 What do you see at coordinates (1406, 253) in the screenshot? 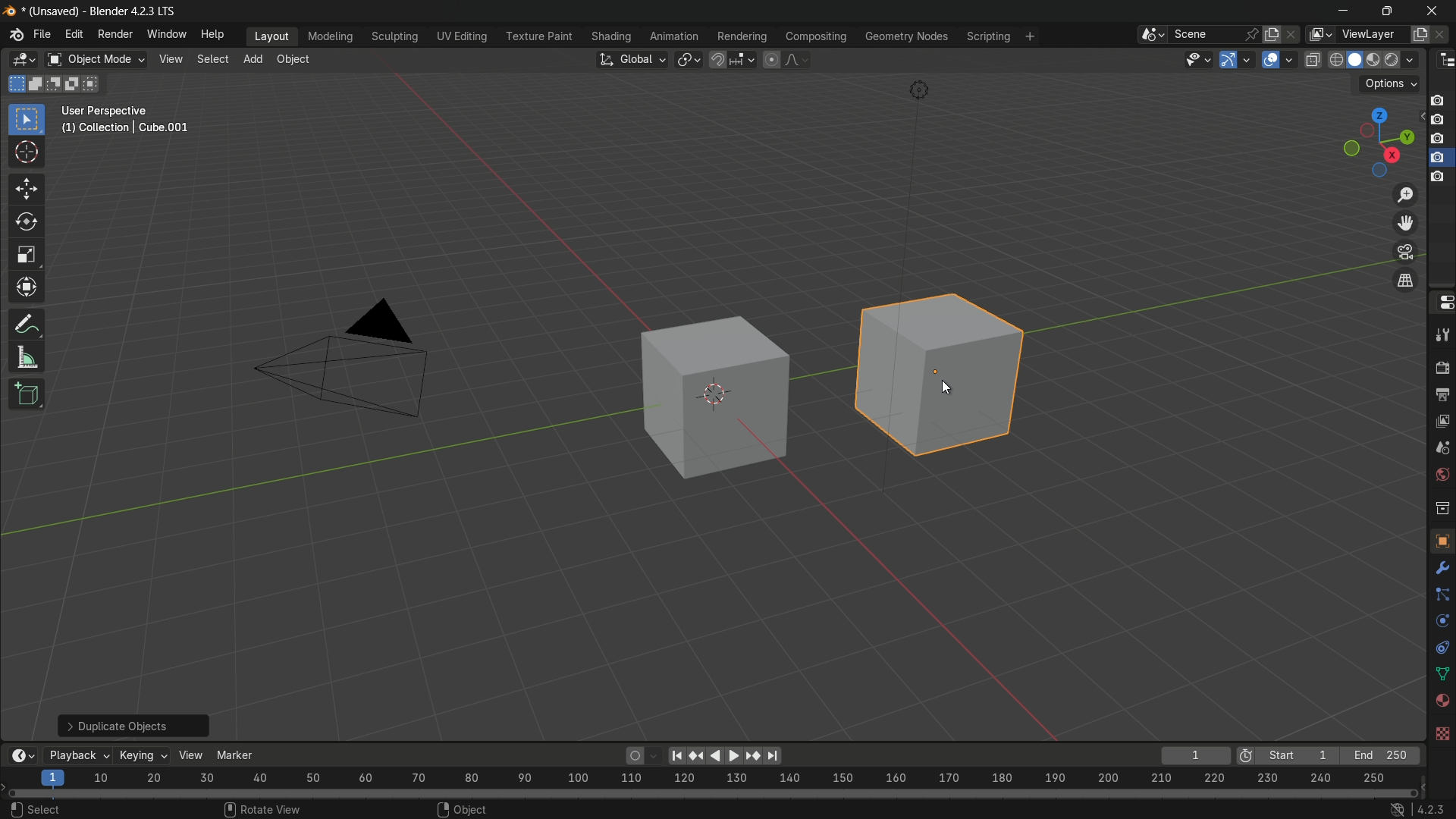
I see `toggle camera view` at bounding box center [1406, 253].